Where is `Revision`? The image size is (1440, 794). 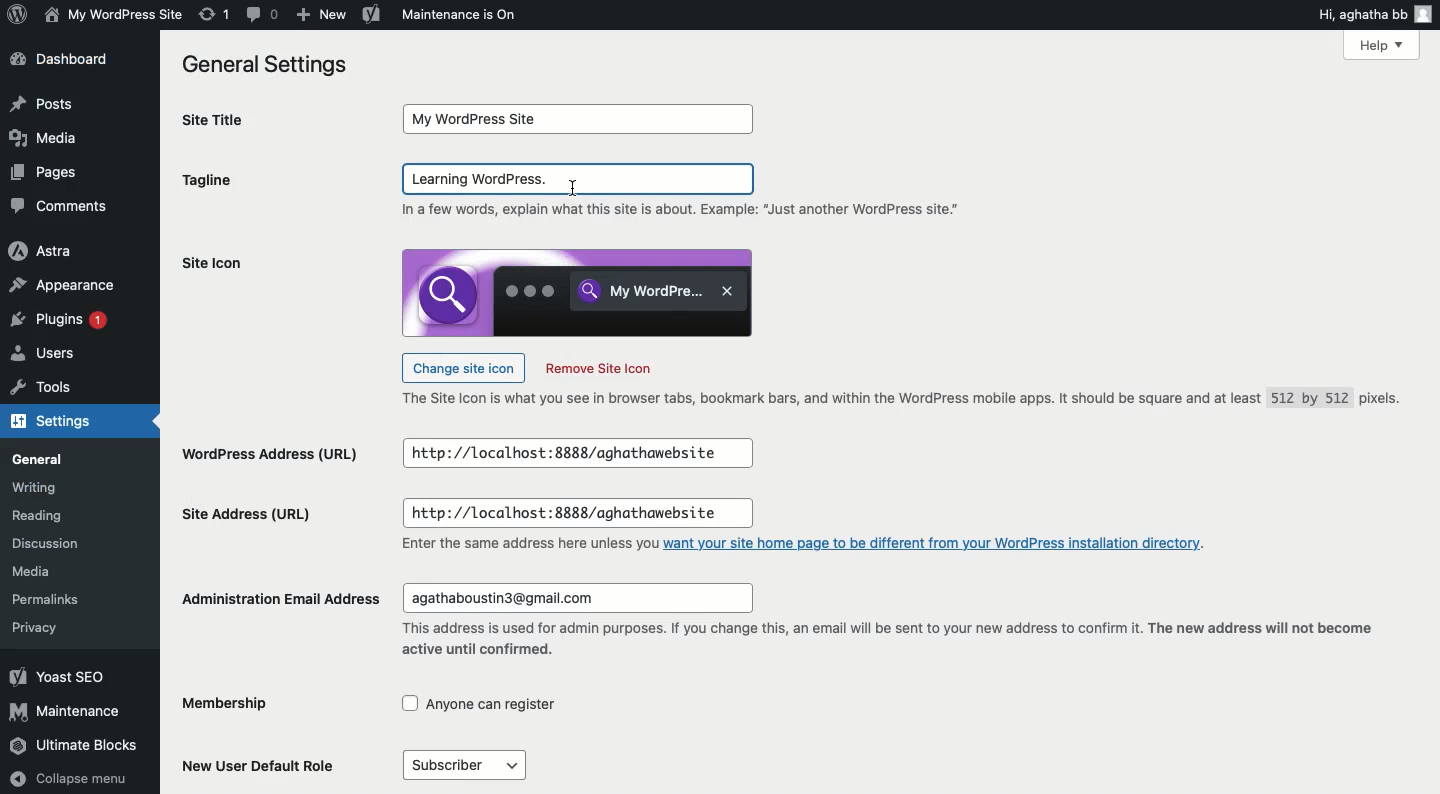 Revision is located at coordinates (215, 14).